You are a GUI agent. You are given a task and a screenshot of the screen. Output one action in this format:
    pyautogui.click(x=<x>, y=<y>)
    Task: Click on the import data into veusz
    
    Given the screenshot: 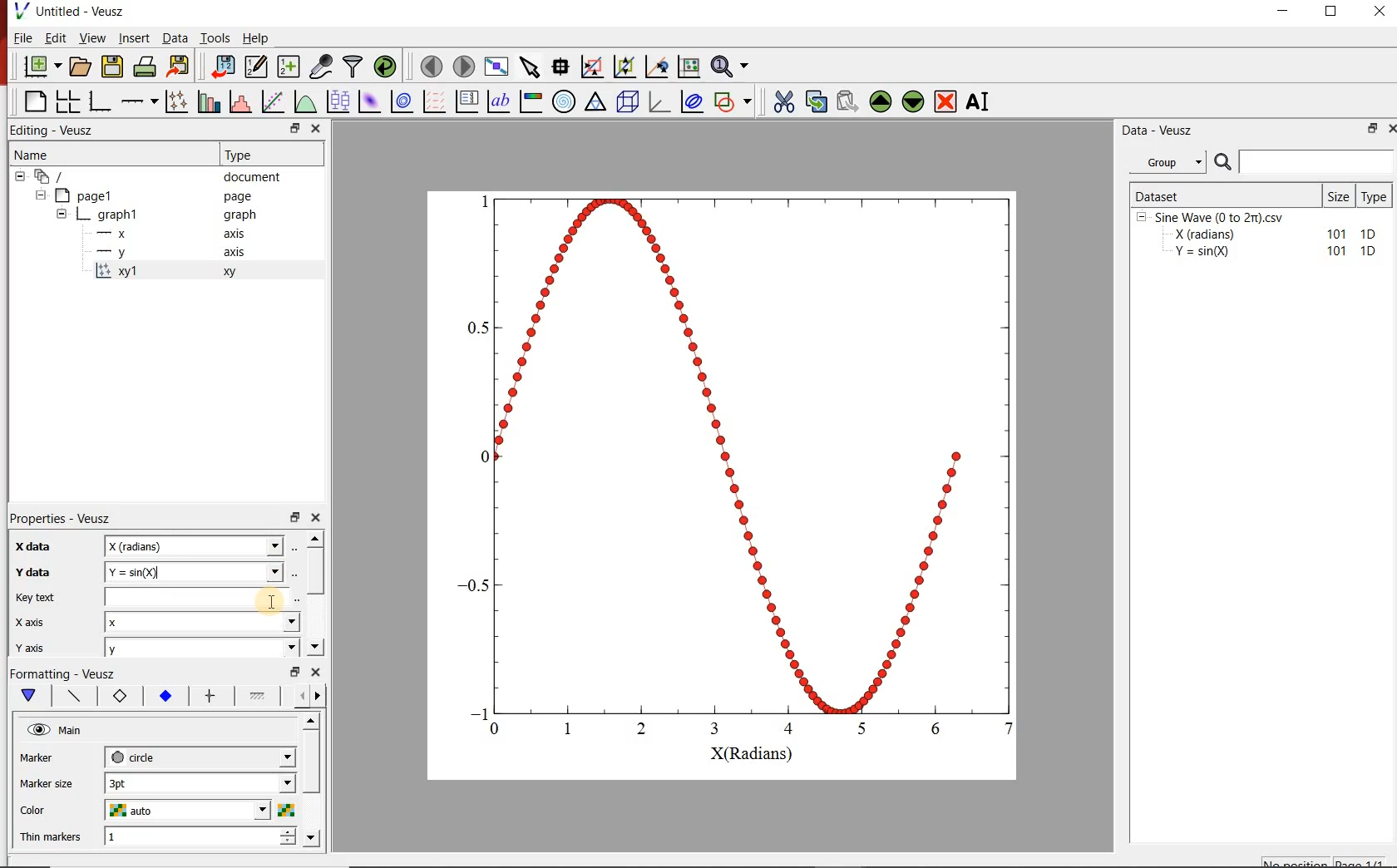 What is the action you would take?
    pyautogui.click(x=221, y=66)
    